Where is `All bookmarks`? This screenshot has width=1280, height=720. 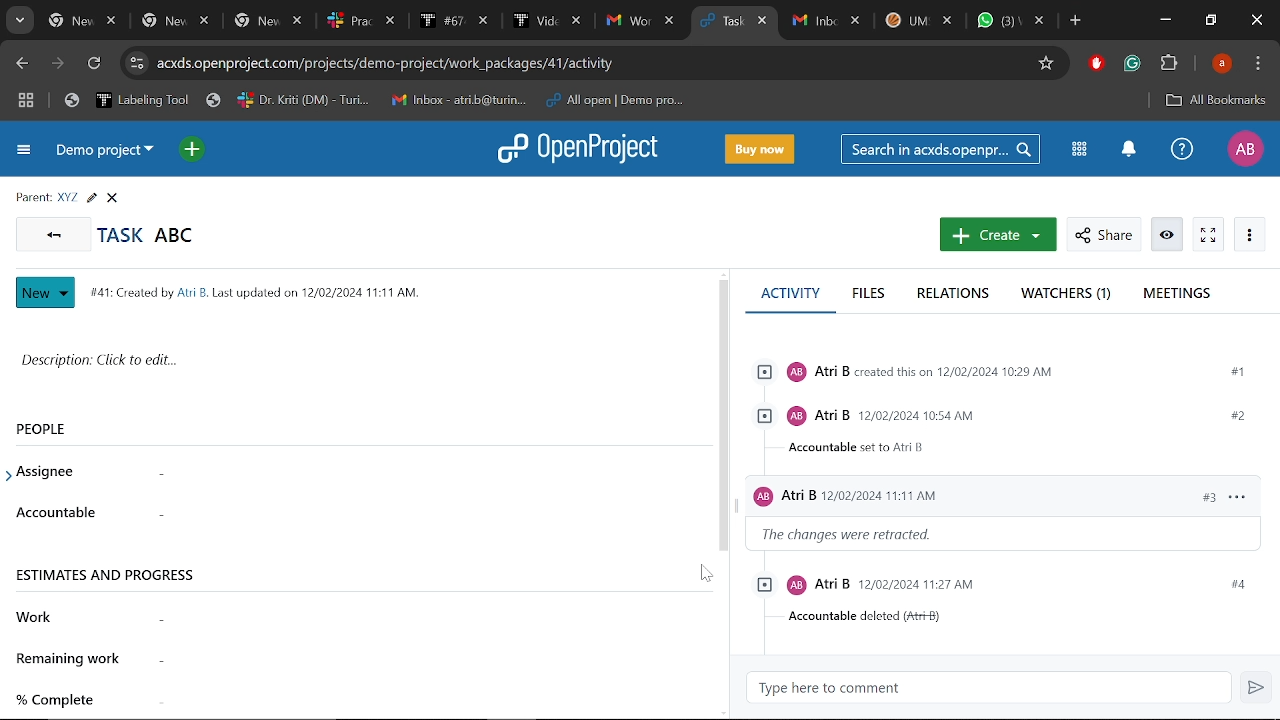 All bookmarks is located at coordinates (1212, 100).